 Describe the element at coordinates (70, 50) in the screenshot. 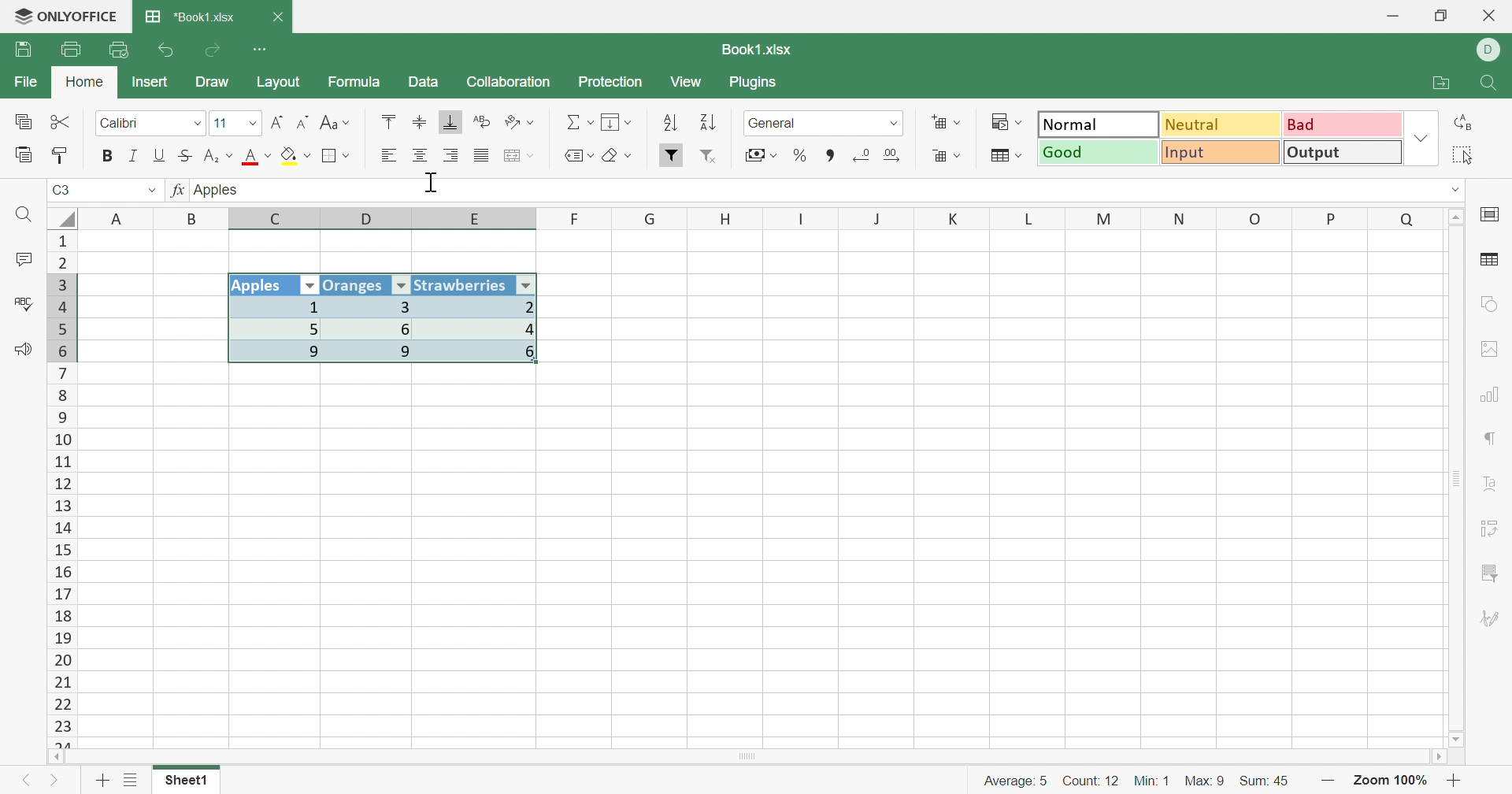

I see `Print` at that location.